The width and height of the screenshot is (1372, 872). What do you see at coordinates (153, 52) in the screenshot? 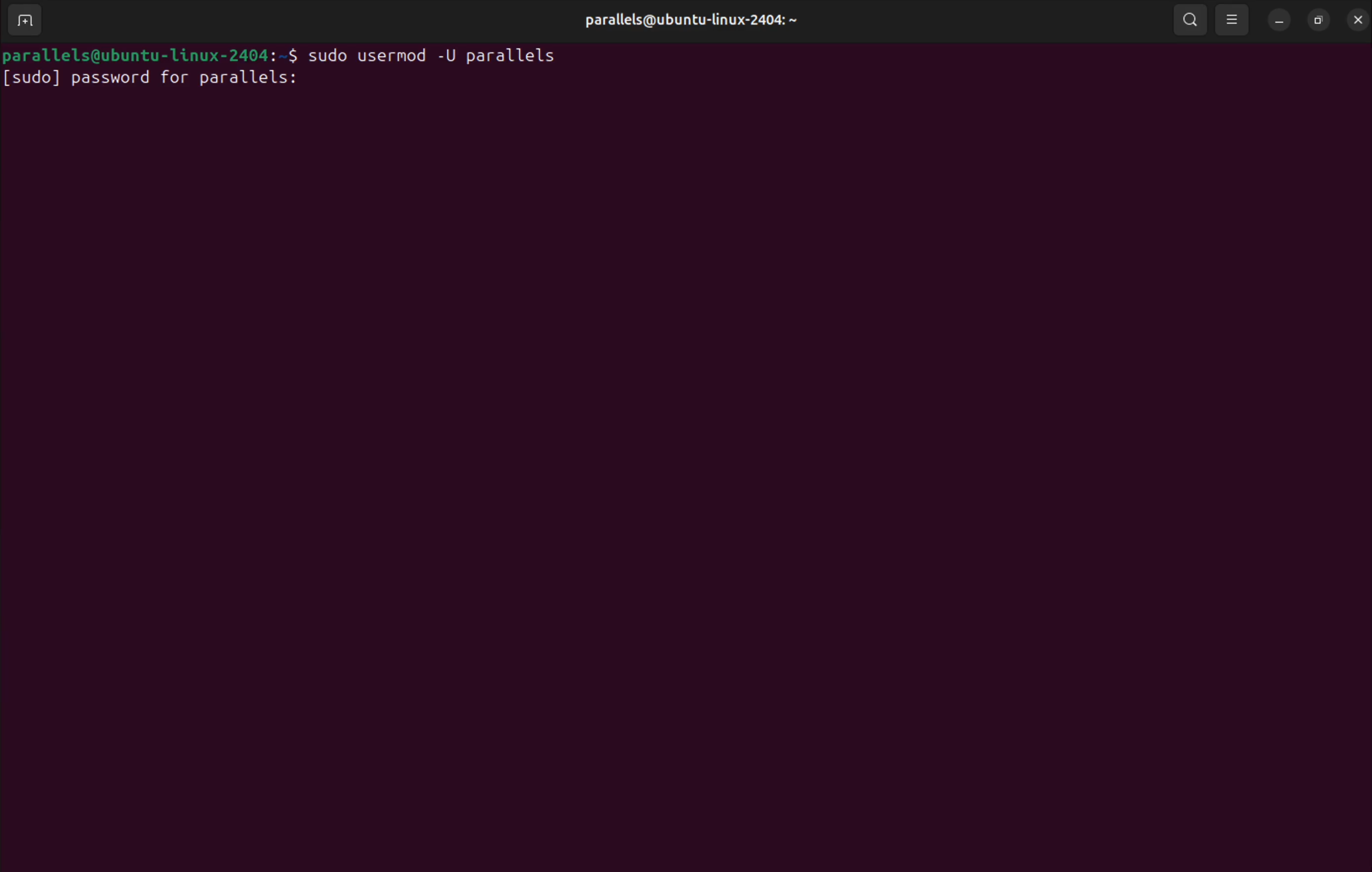
I see `bash prompt` at bounding box center [153, 52].